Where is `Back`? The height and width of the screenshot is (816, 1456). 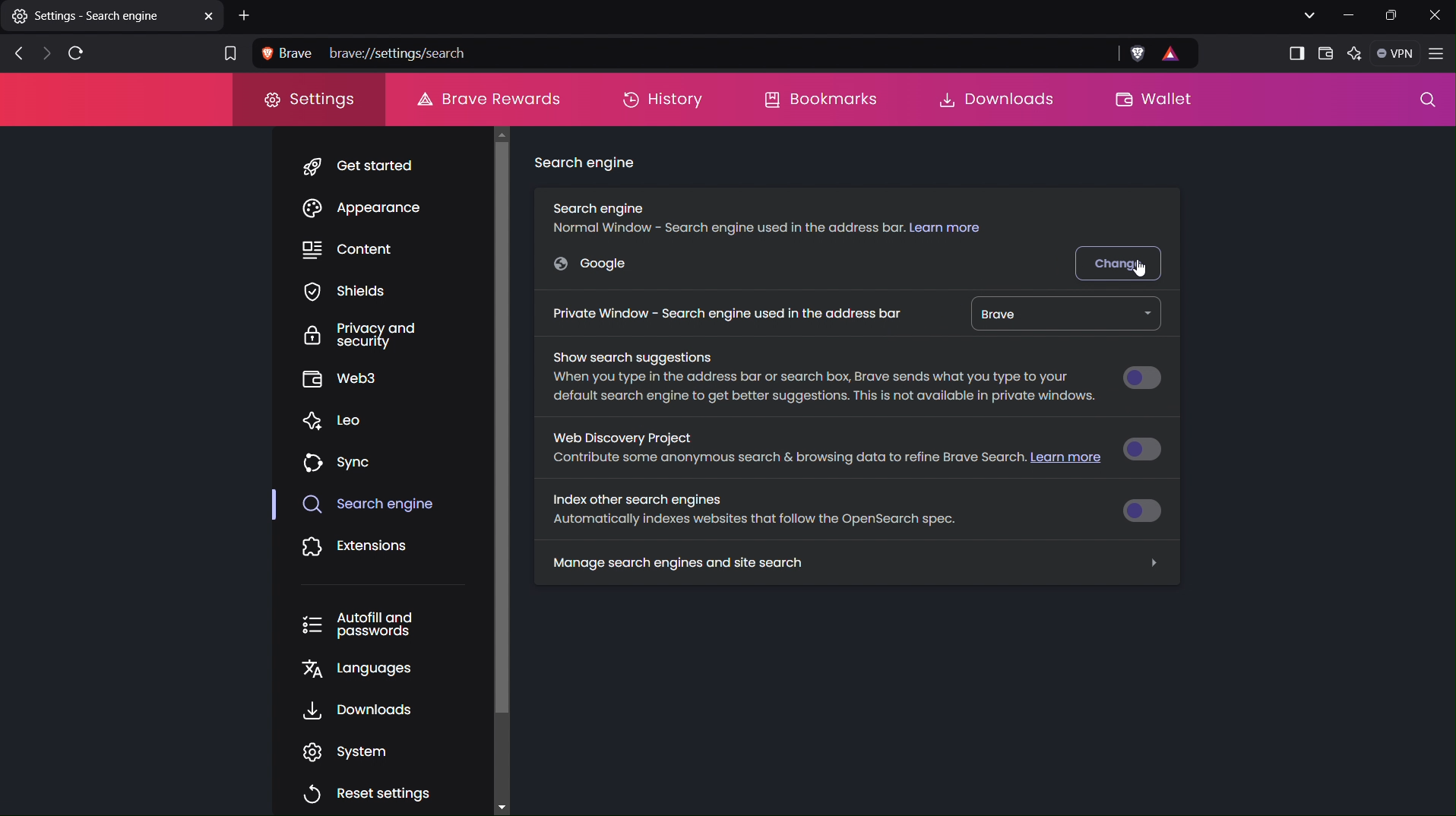 Back is located at coordinates (14, 54).